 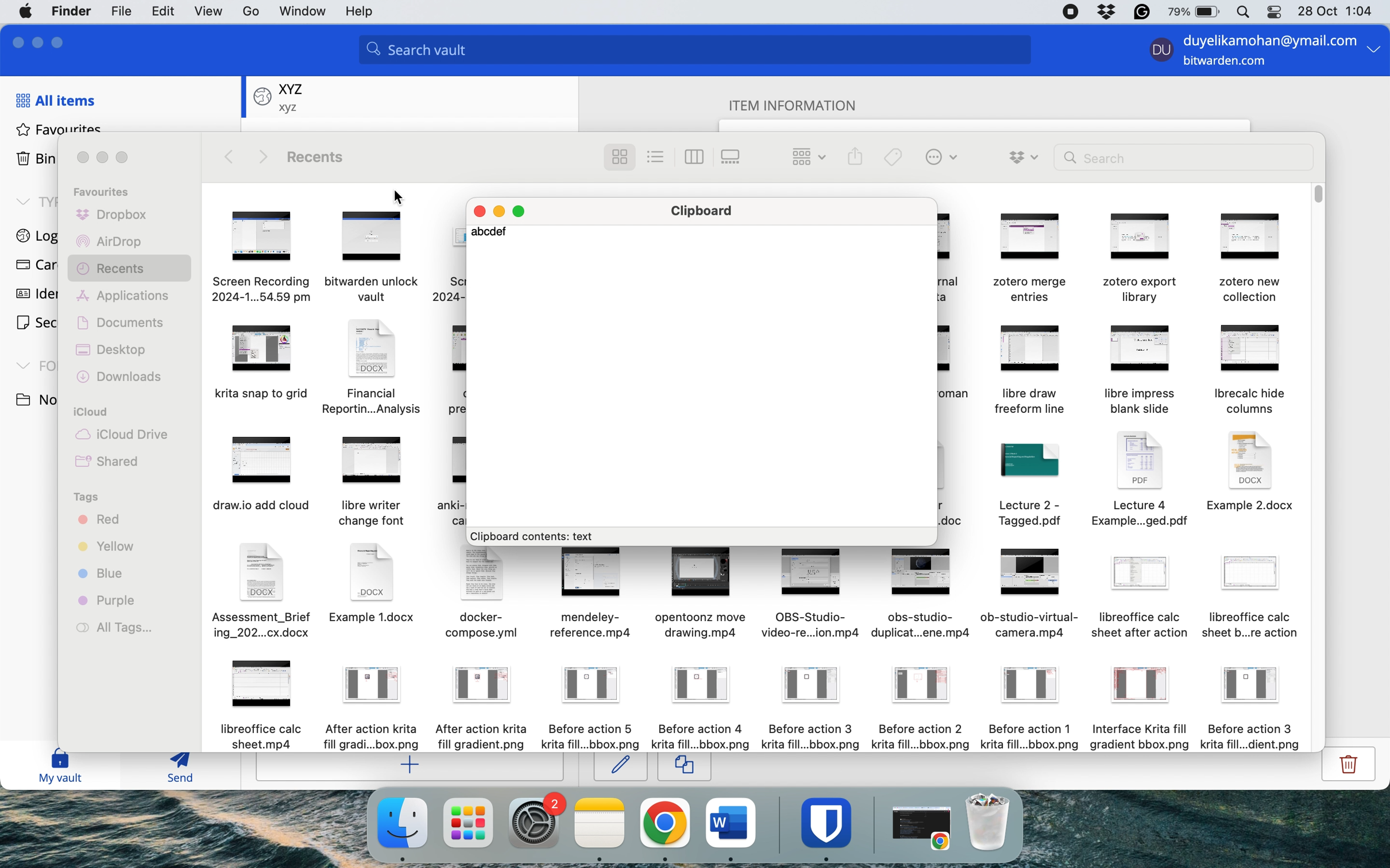 I want to click on spotlight search, so click(x=1241, y=13).